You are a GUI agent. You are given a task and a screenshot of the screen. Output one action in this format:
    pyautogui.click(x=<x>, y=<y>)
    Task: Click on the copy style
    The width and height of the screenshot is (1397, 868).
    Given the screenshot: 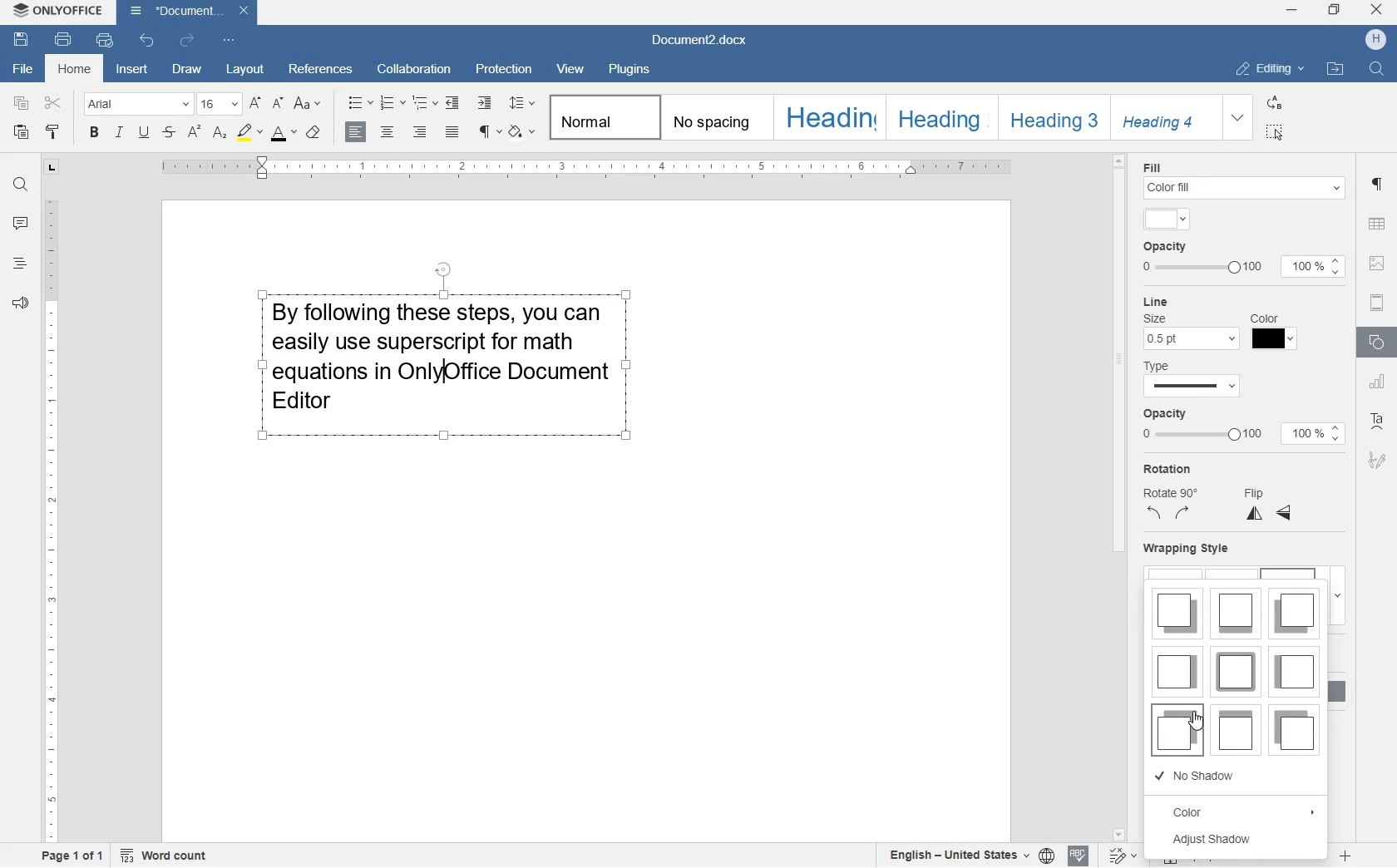 What is the action you would take?
    pyautogui.click(x=53, y=132)
    